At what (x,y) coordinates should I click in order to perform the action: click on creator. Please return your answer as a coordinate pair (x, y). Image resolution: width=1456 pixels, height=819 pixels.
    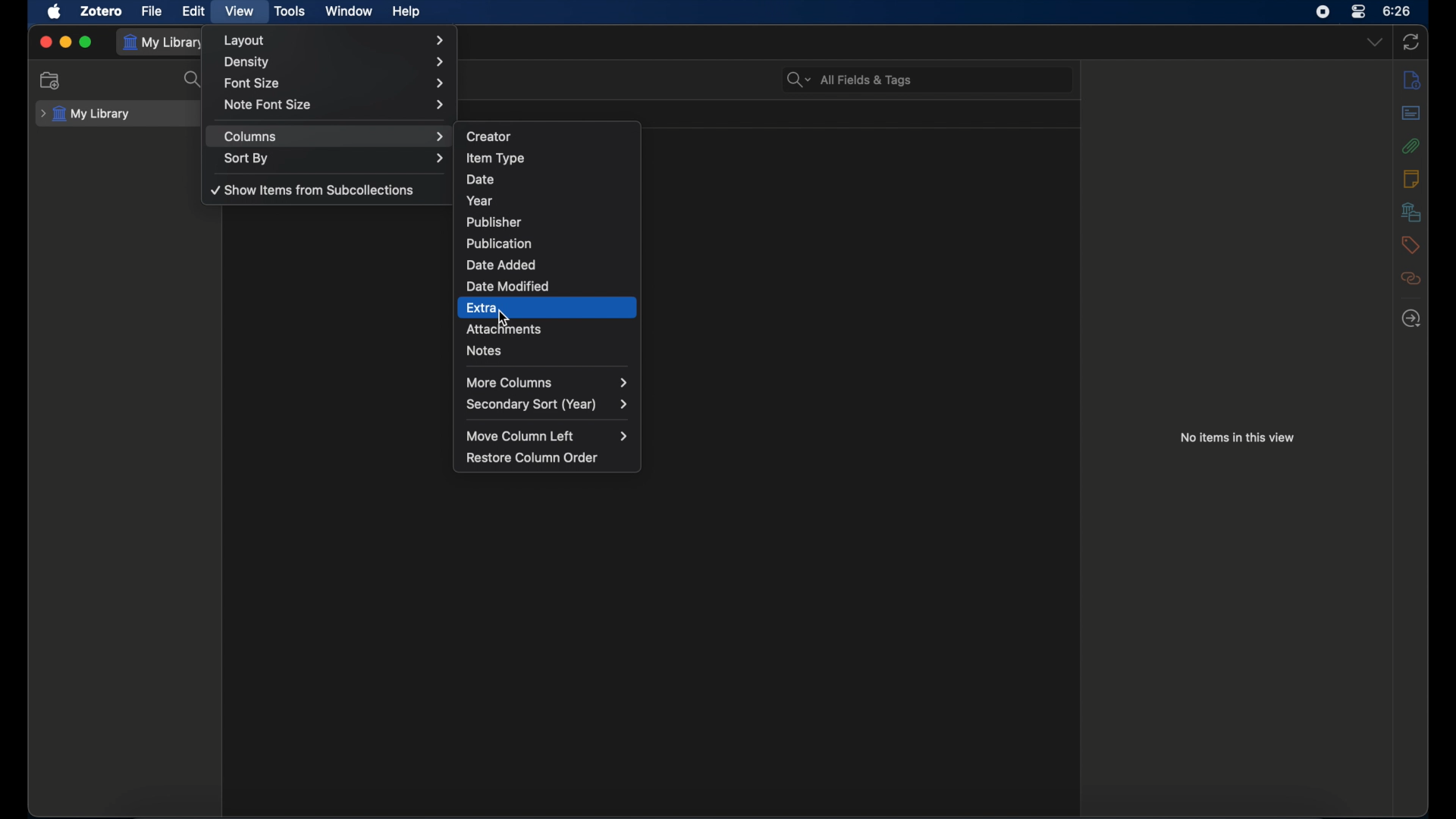
    Looking at the image, I should click on (551, 134).